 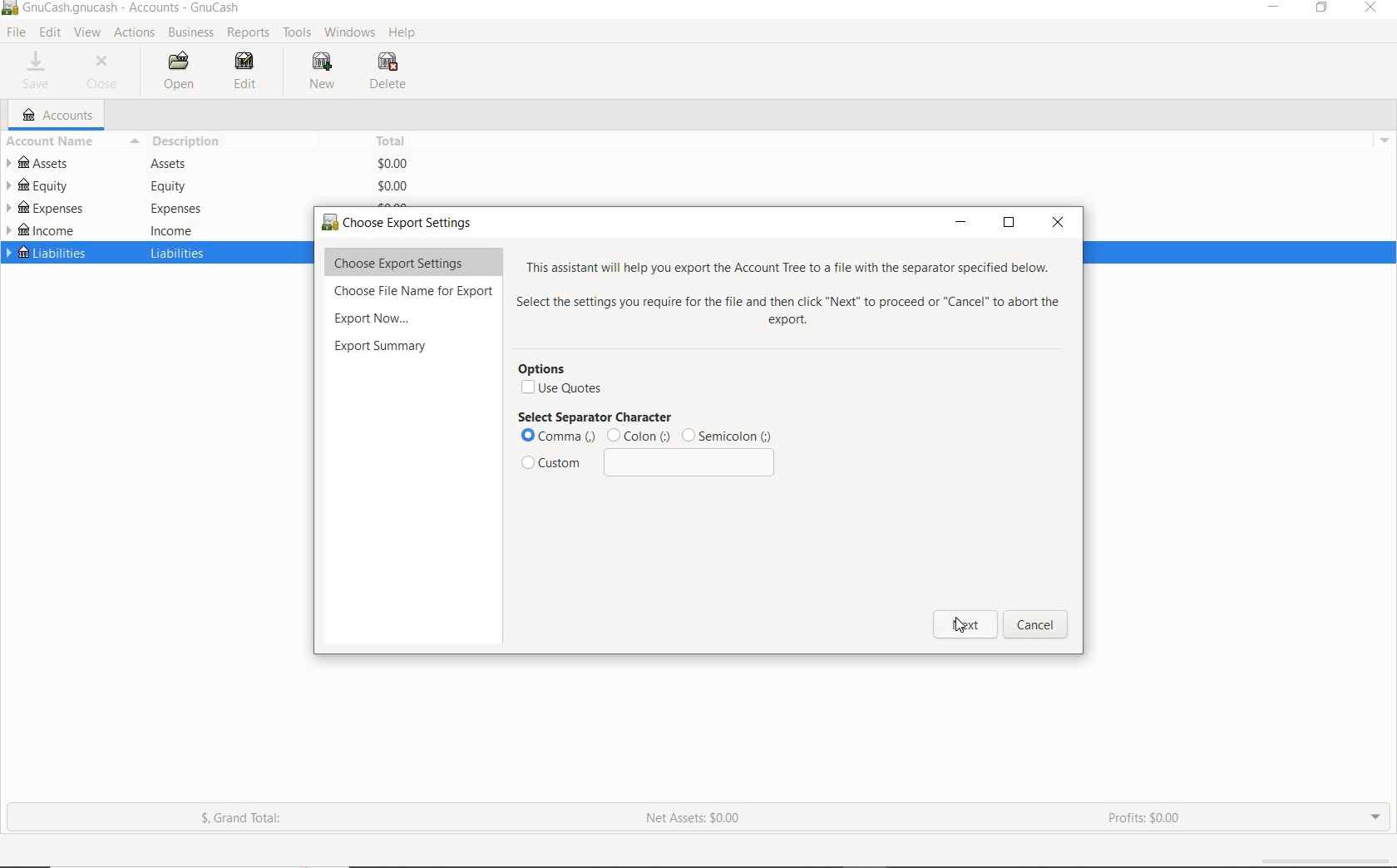 What do you see at coordinates (126, 9) in the screenshot?
I see `SYSTEM NAME` at bounding box center [126, 9].